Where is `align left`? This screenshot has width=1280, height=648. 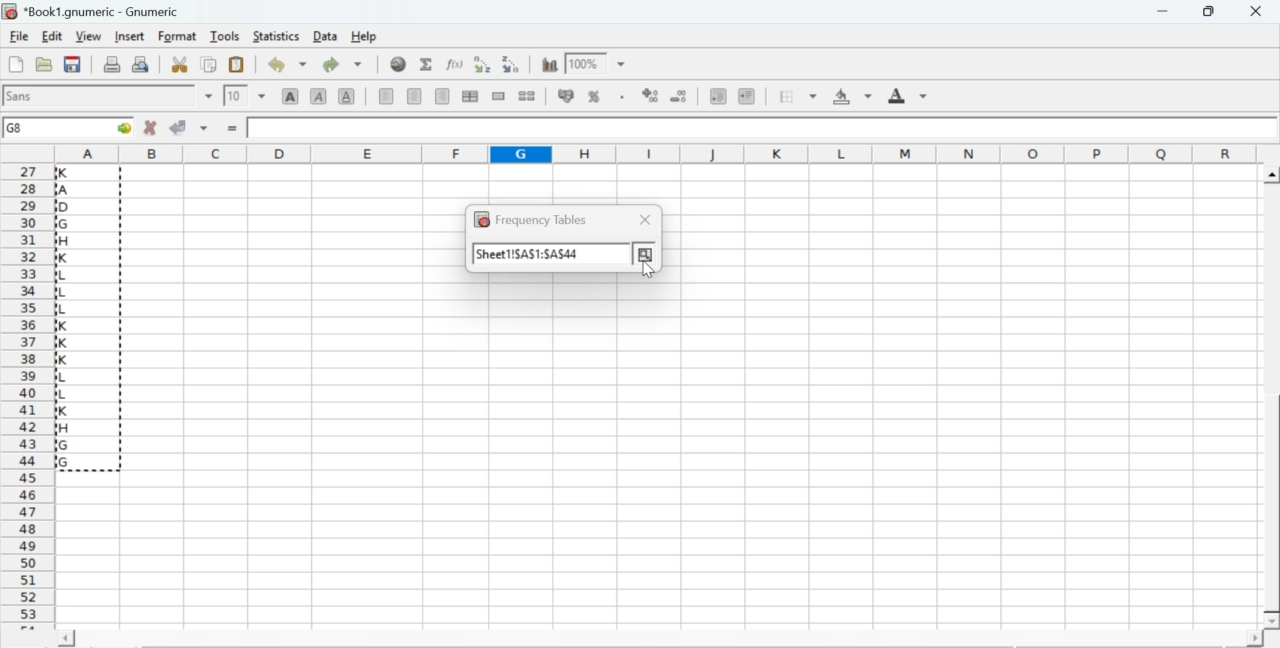 align left is located at coordinates (386, 94).